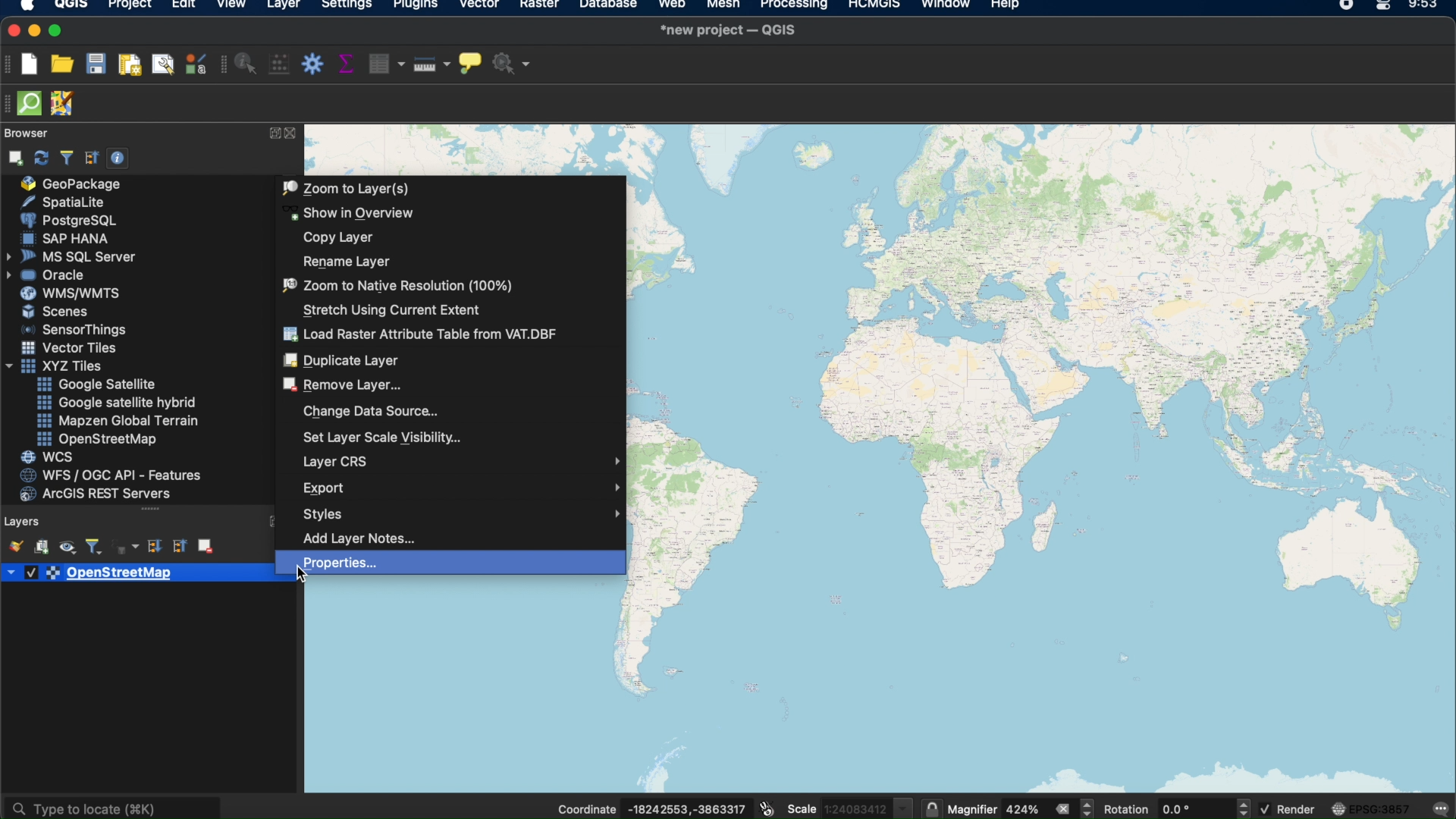 The width and height of the screenshot is (1456, 819). Describe the element at coordinates (460, 488) in the screenshot. I see `export` at that location.